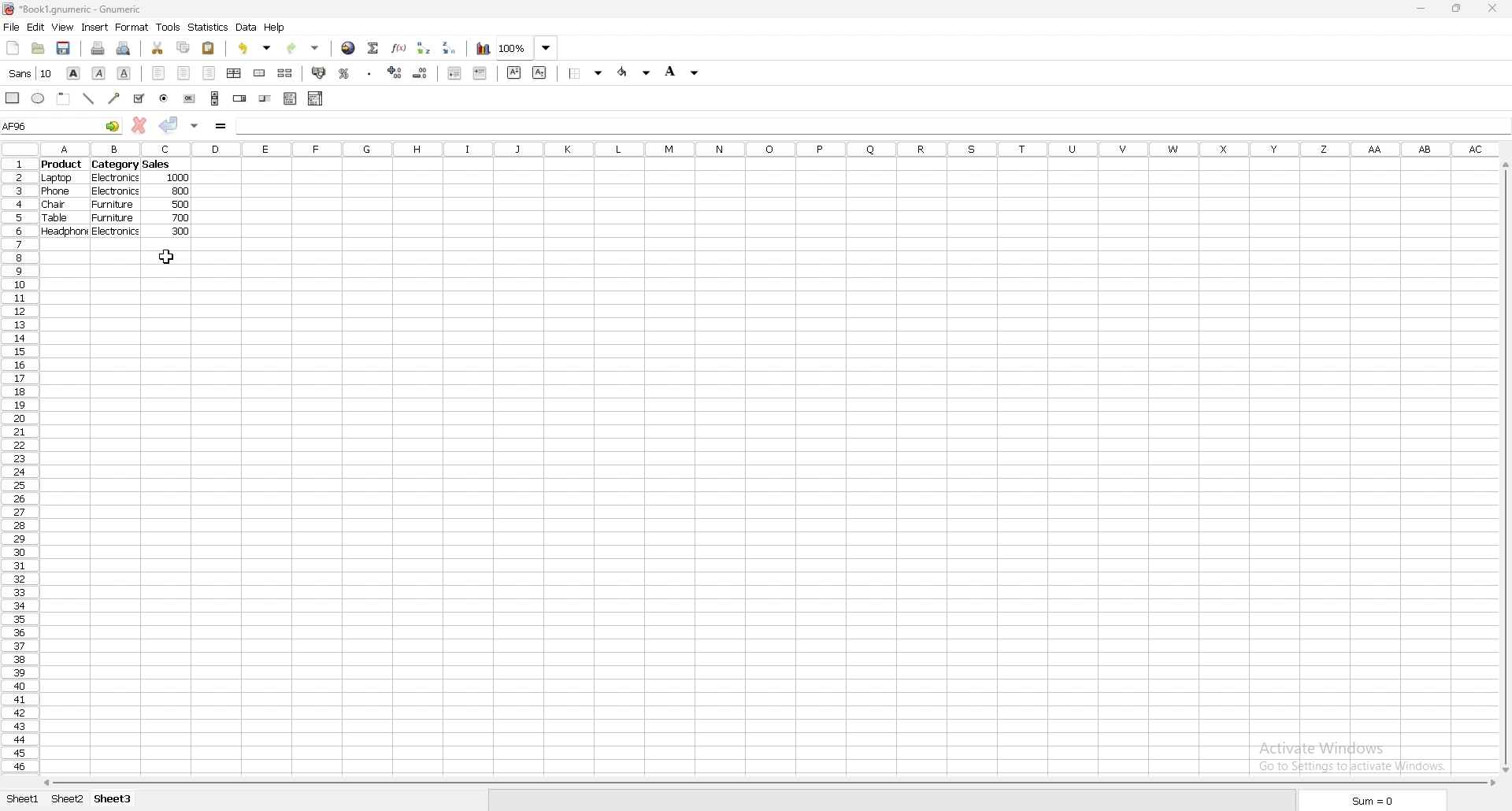 The image size is (1512, 811). Describe the element at coordinates (235, 73) in the screenshot. I see `centre horizontally` at that location.